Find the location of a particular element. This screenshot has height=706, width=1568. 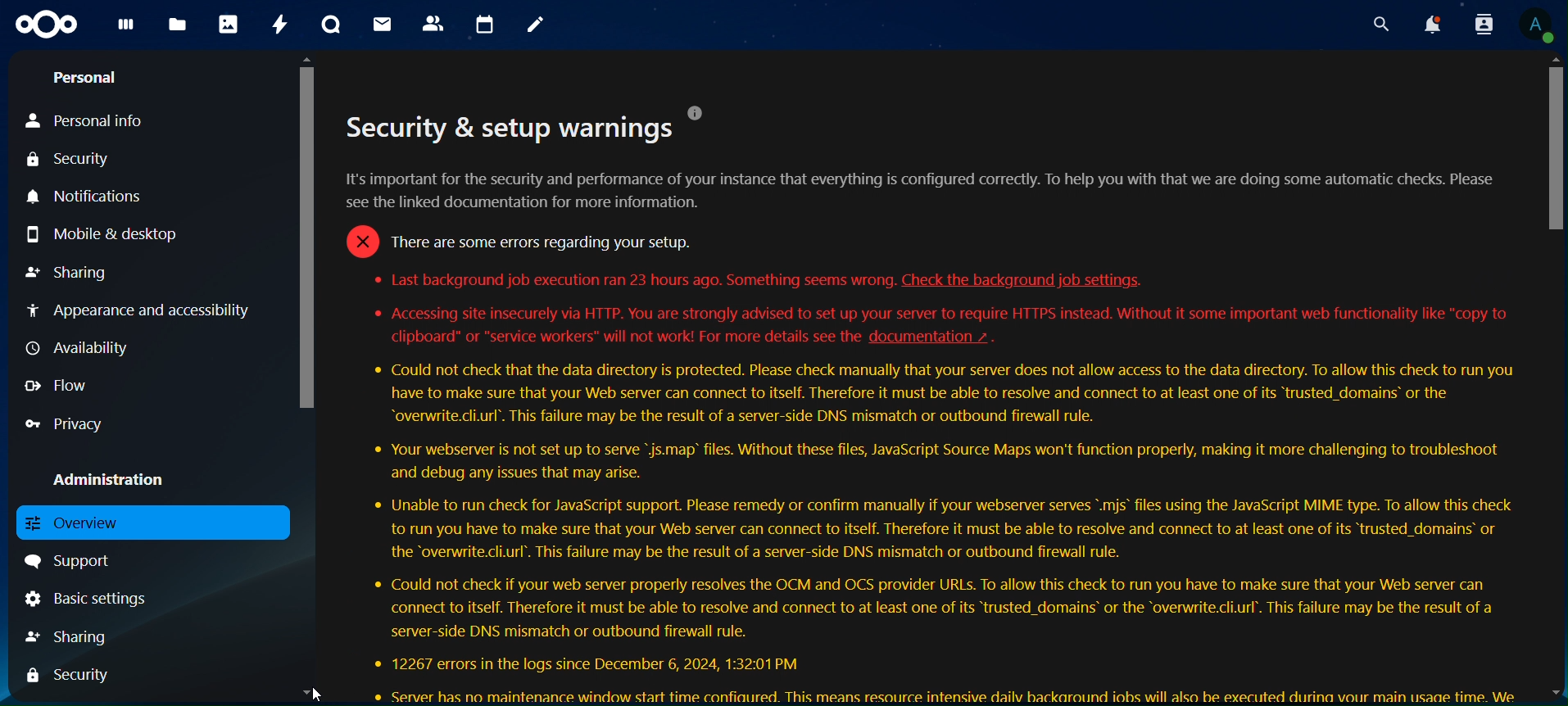

icon is located at coordinates (48, 25).